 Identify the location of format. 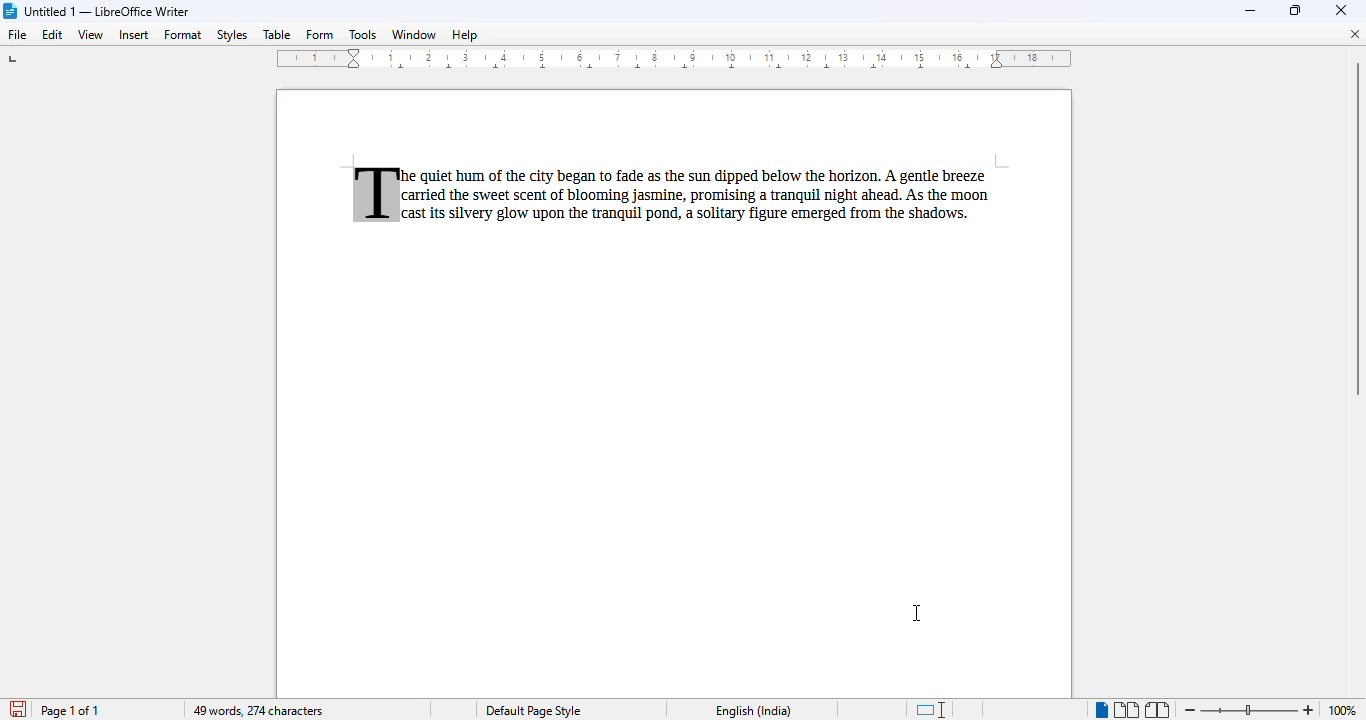
(184, 34).